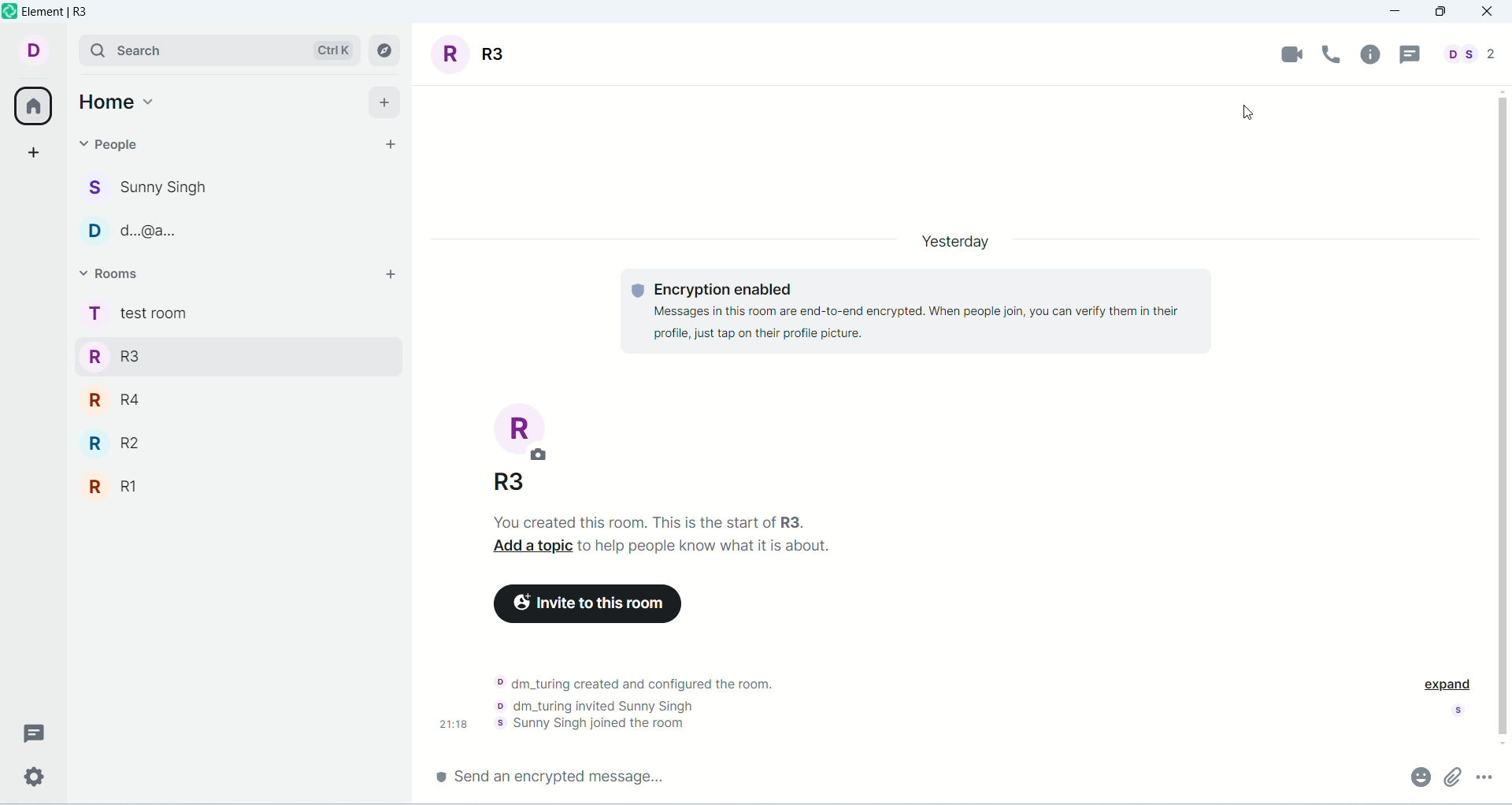 The height and width of the screenshot is (805, 1512). What do you see at coordinates (1489, 13) in the screenshot?
I see `close` at bounding box center [1489, 13].